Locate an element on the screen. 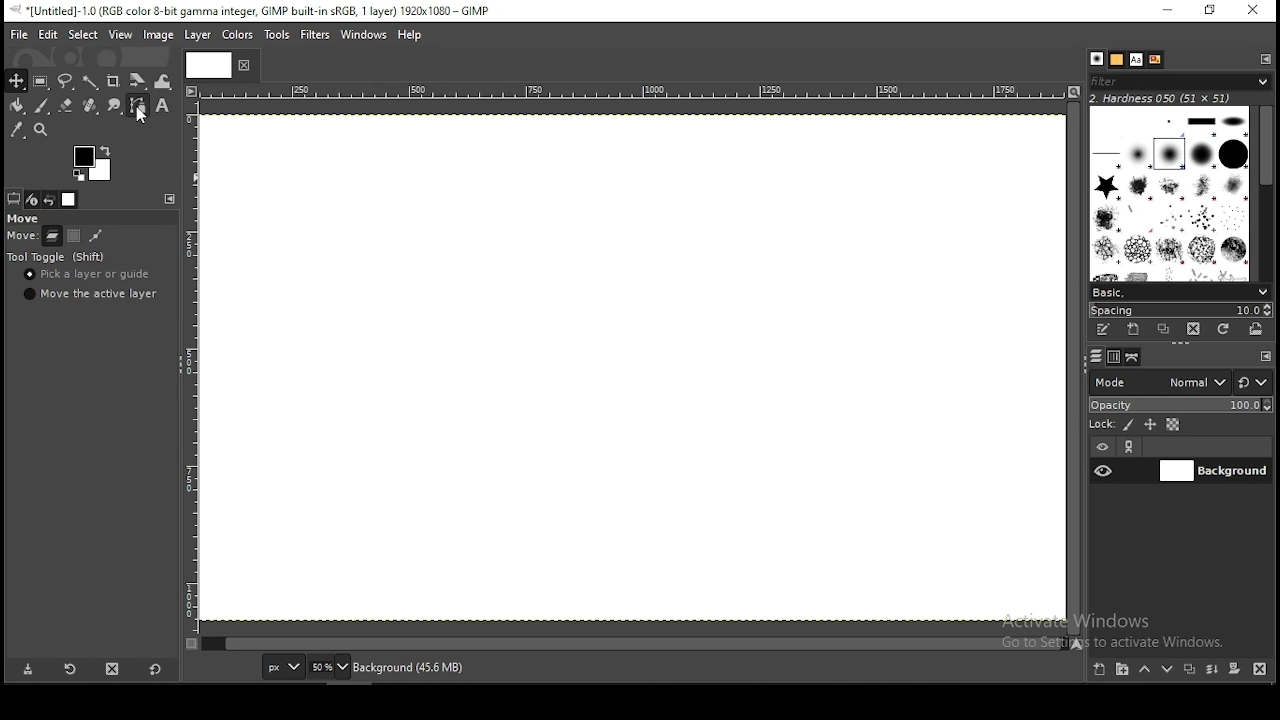 The height and width of the screenshot is (720, 1280). colors is located at coordinates (88, 162).